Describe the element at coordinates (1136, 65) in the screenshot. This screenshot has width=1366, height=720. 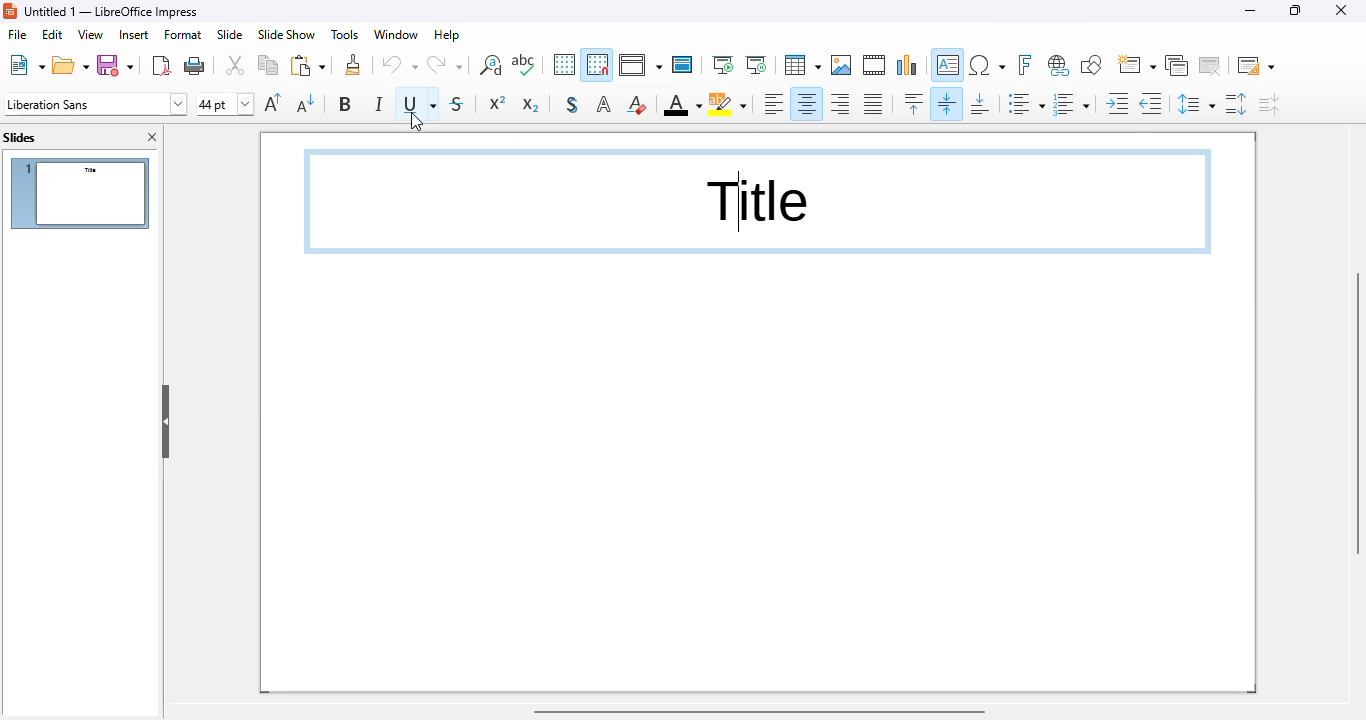
I see `new slide` at that location.